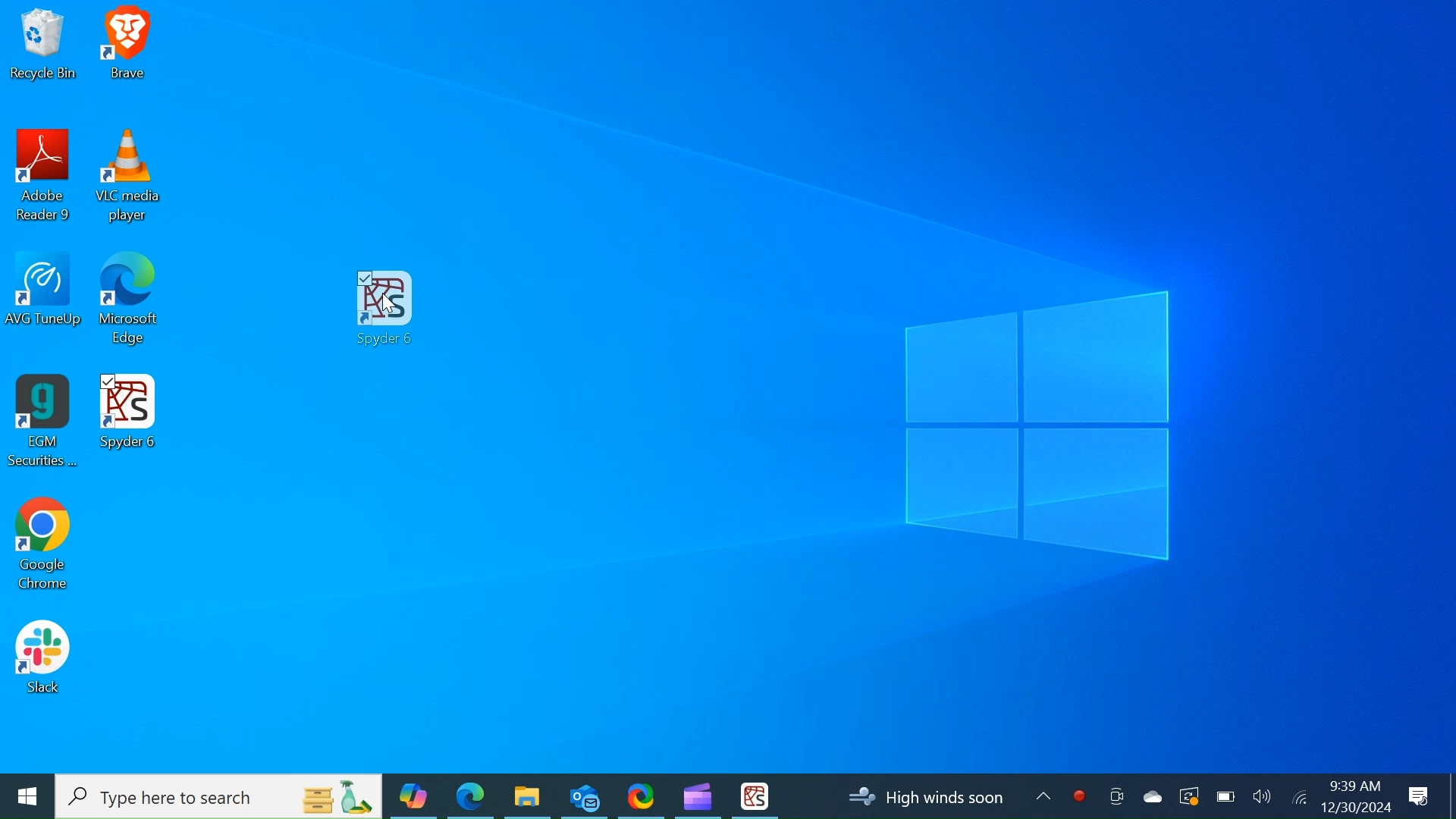 This screenshot has height=819, width=1456. What do you see at coordinates (46, 303) in the screenshot?
I see `AVG TuneUp Desktop Icon` at bounding box center [46, 303].